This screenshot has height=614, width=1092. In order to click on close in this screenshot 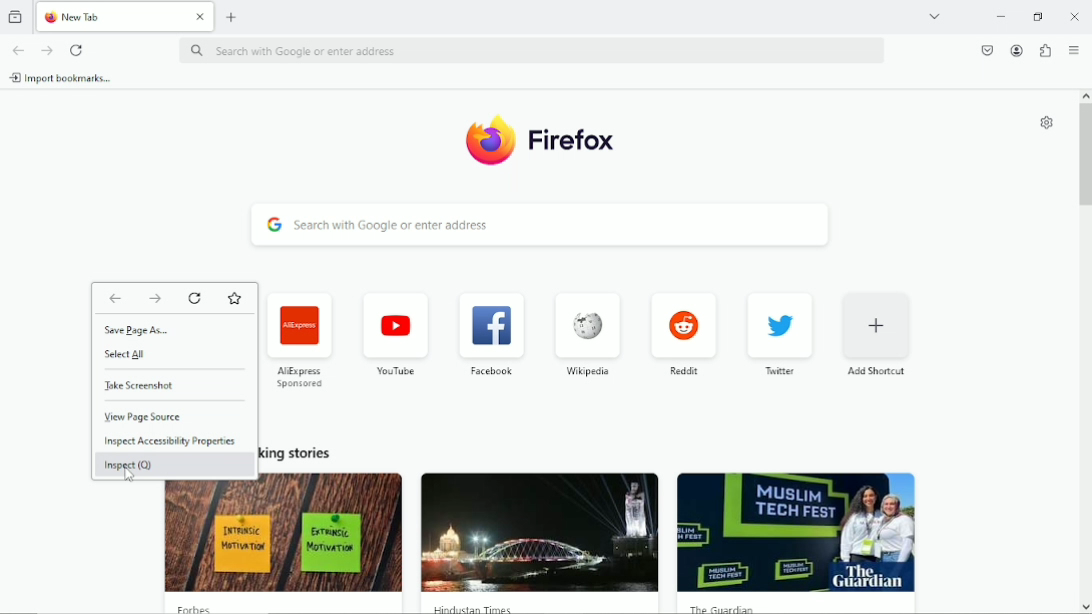, I will do `click(199, 17)`.